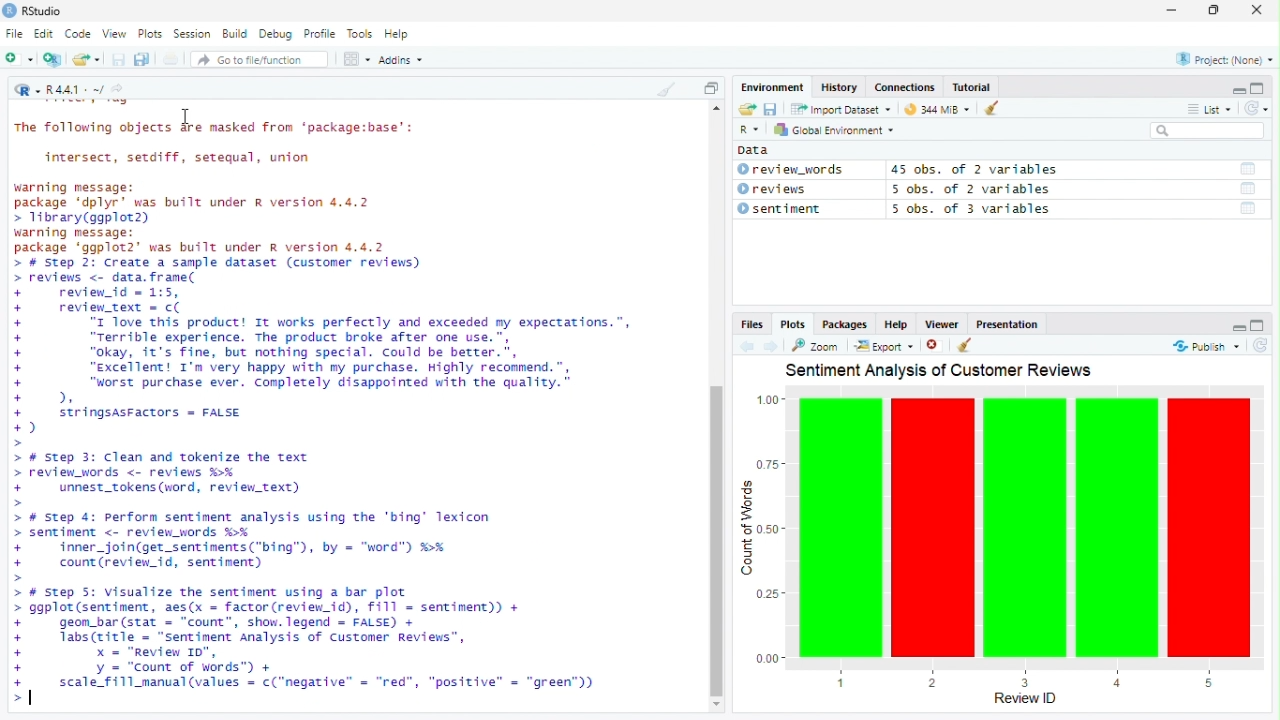  Describe the element at coordinates (756, 150) in the screenshot. I see `Data` at that location.